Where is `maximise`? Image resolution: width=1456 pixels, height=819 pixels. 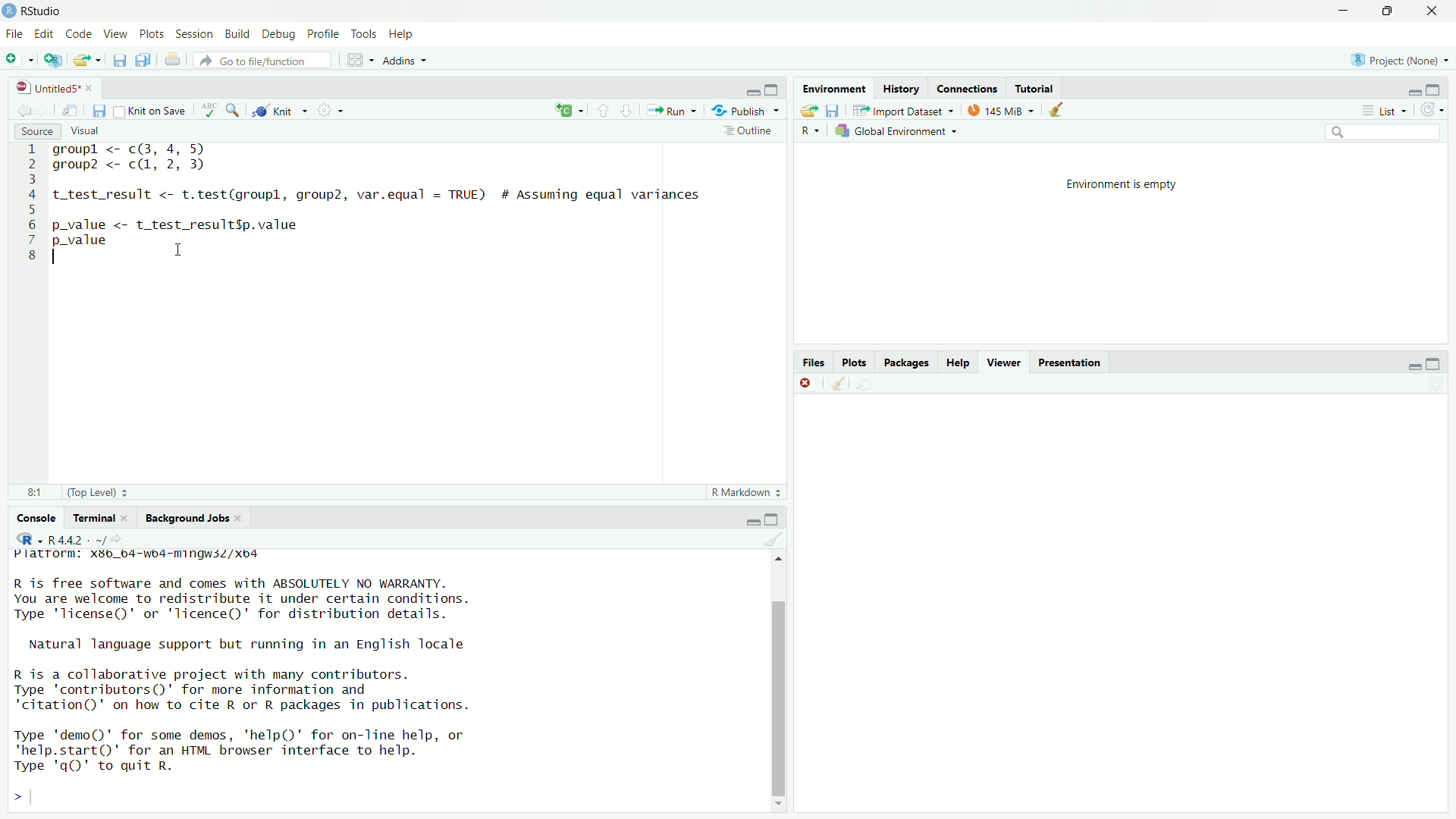
maximise is located at coordinates (1436, 361).